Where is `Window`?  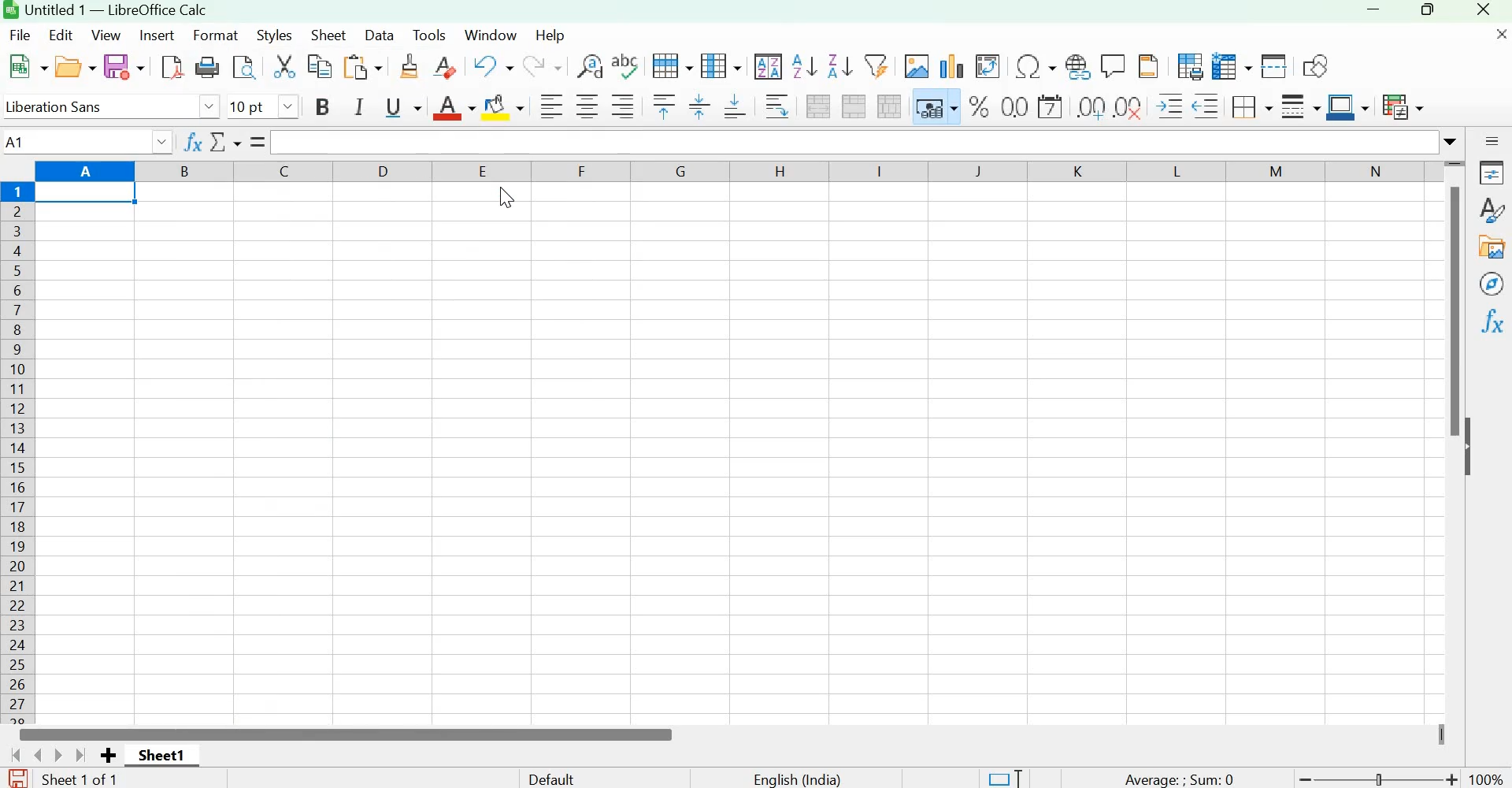 Window is located at coordinates (490, 33).